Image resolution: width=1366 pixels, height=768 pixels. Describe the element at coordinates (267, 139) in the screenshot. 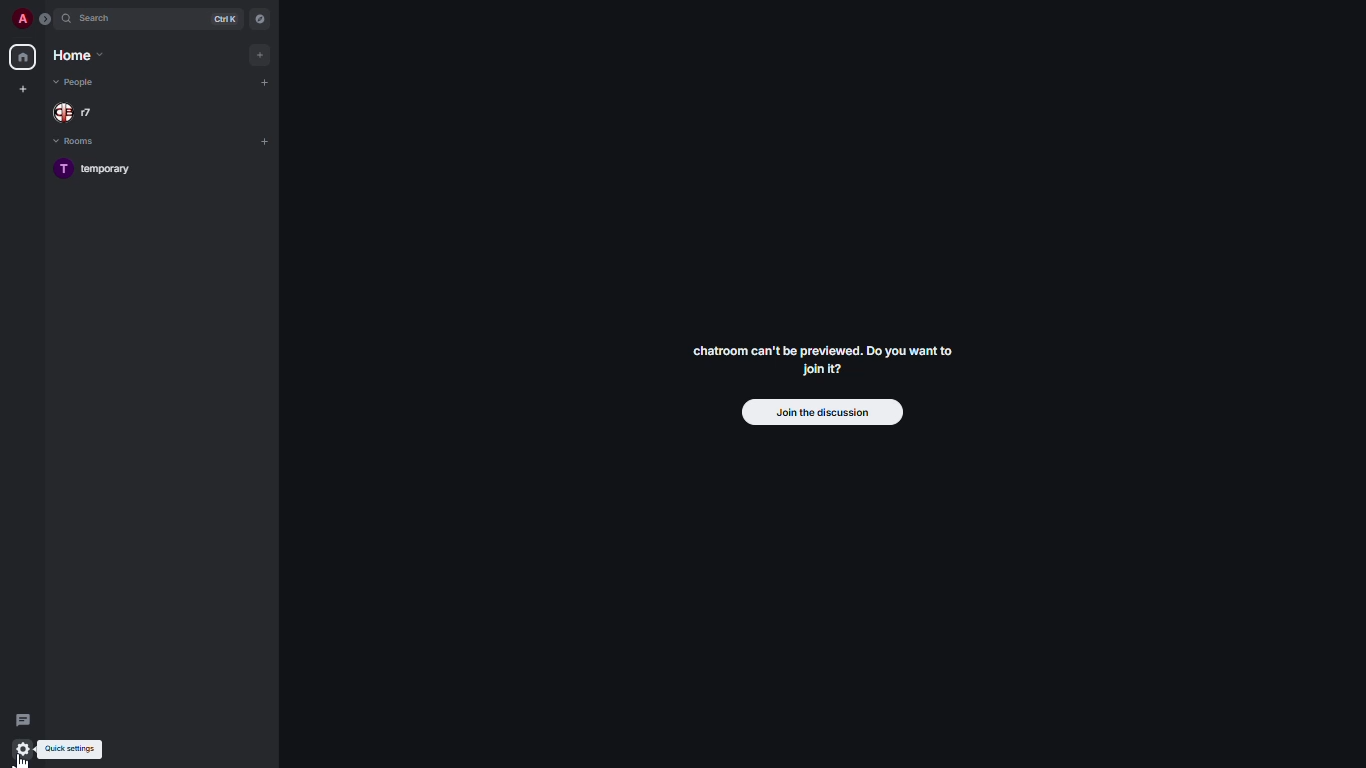

I see `add` at that location.